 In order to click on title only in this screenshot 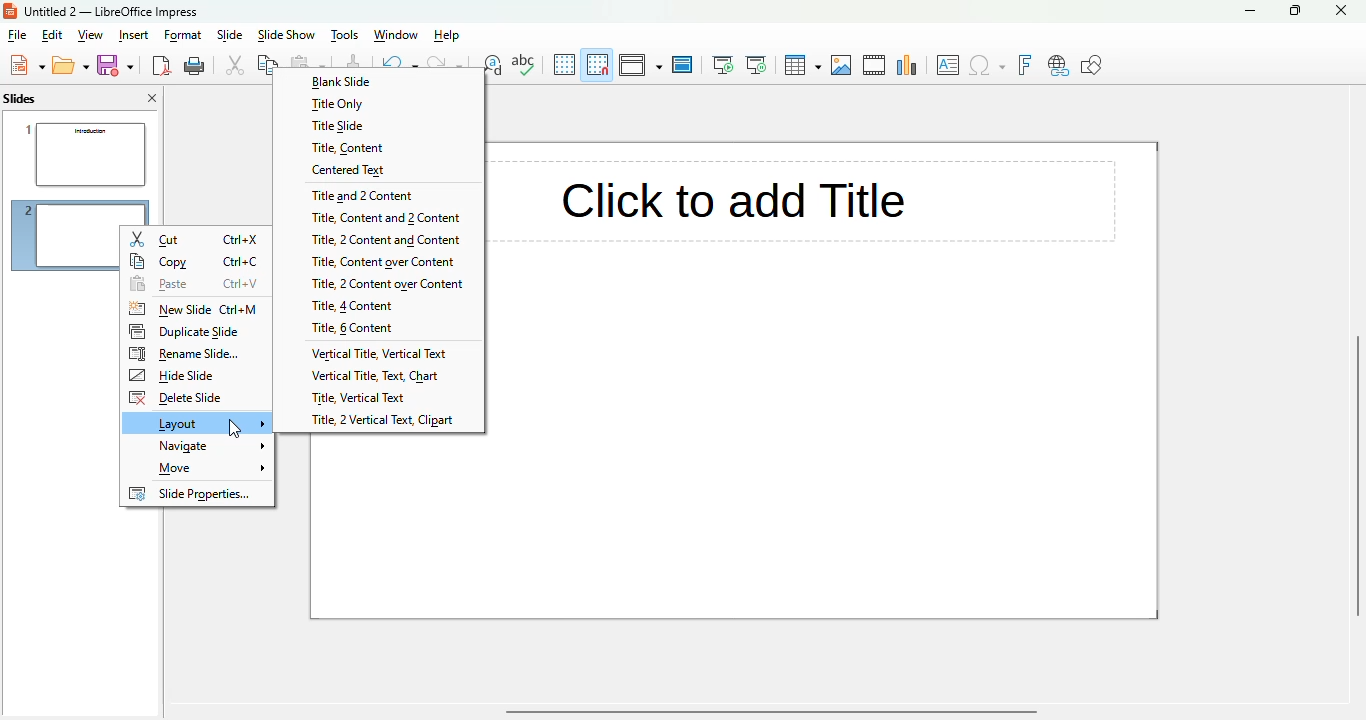, I will do `click(379, 103)`.